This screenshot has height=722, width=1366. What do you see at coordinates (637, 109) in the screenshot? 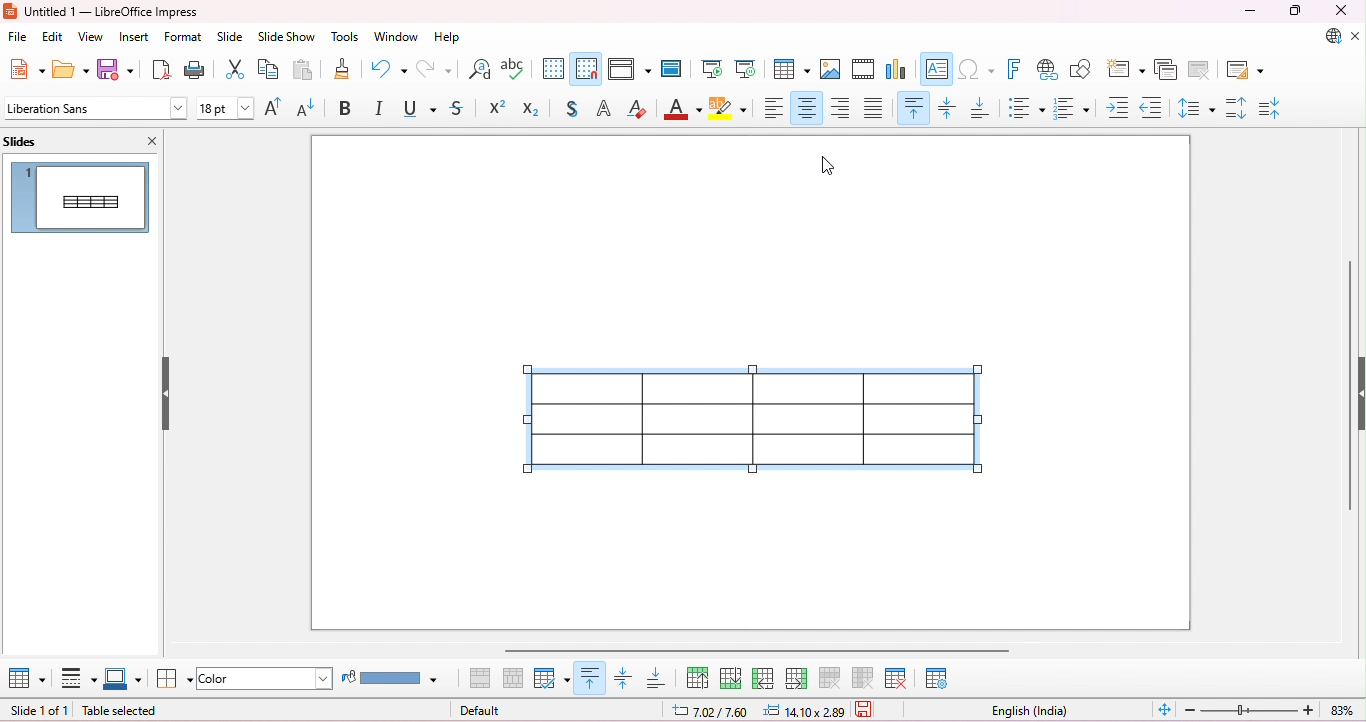
I see `clear direct formatting` at bounding box center [637, 109].